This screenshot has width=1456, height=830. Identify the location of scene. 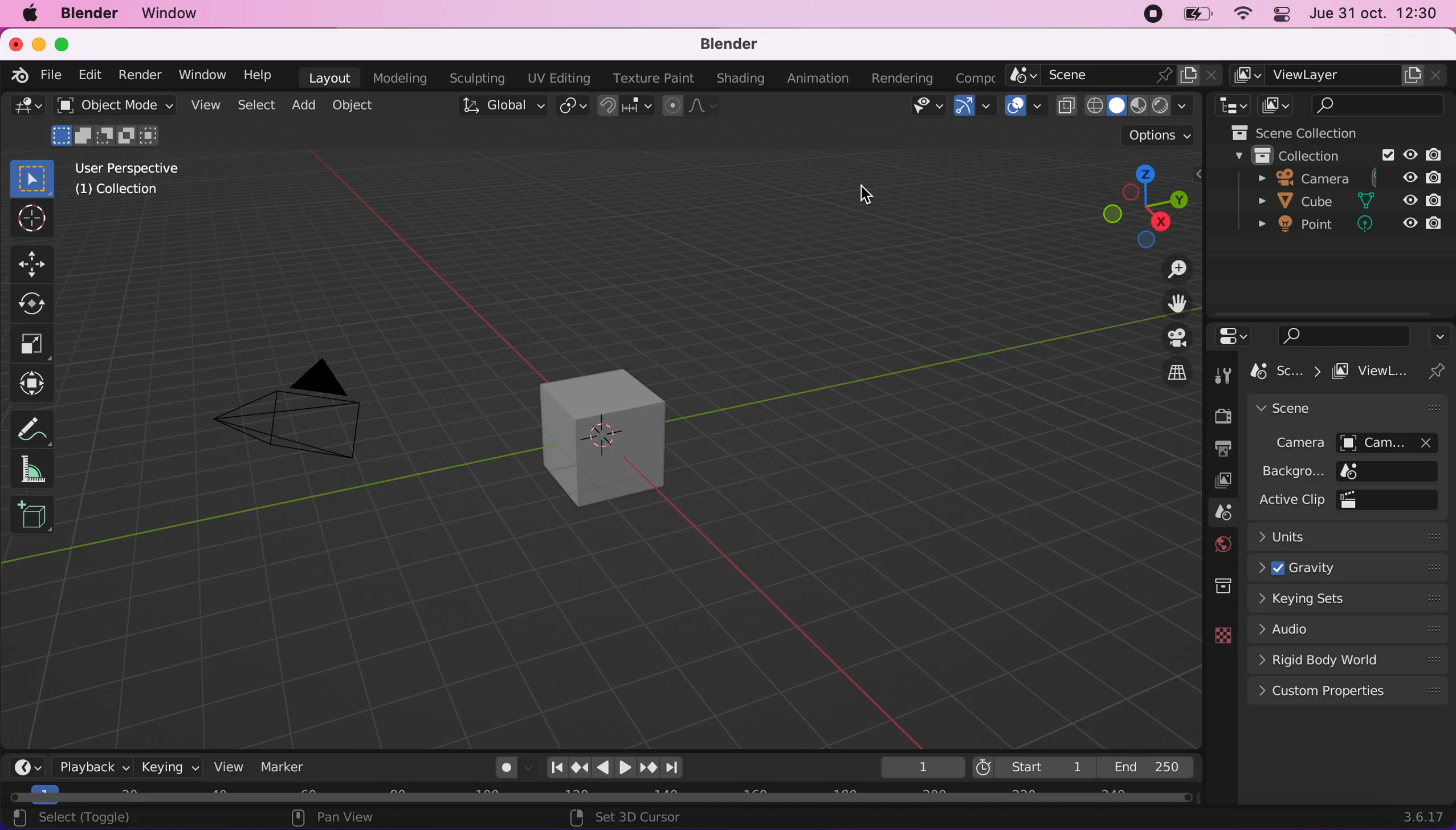
(1218, 513).